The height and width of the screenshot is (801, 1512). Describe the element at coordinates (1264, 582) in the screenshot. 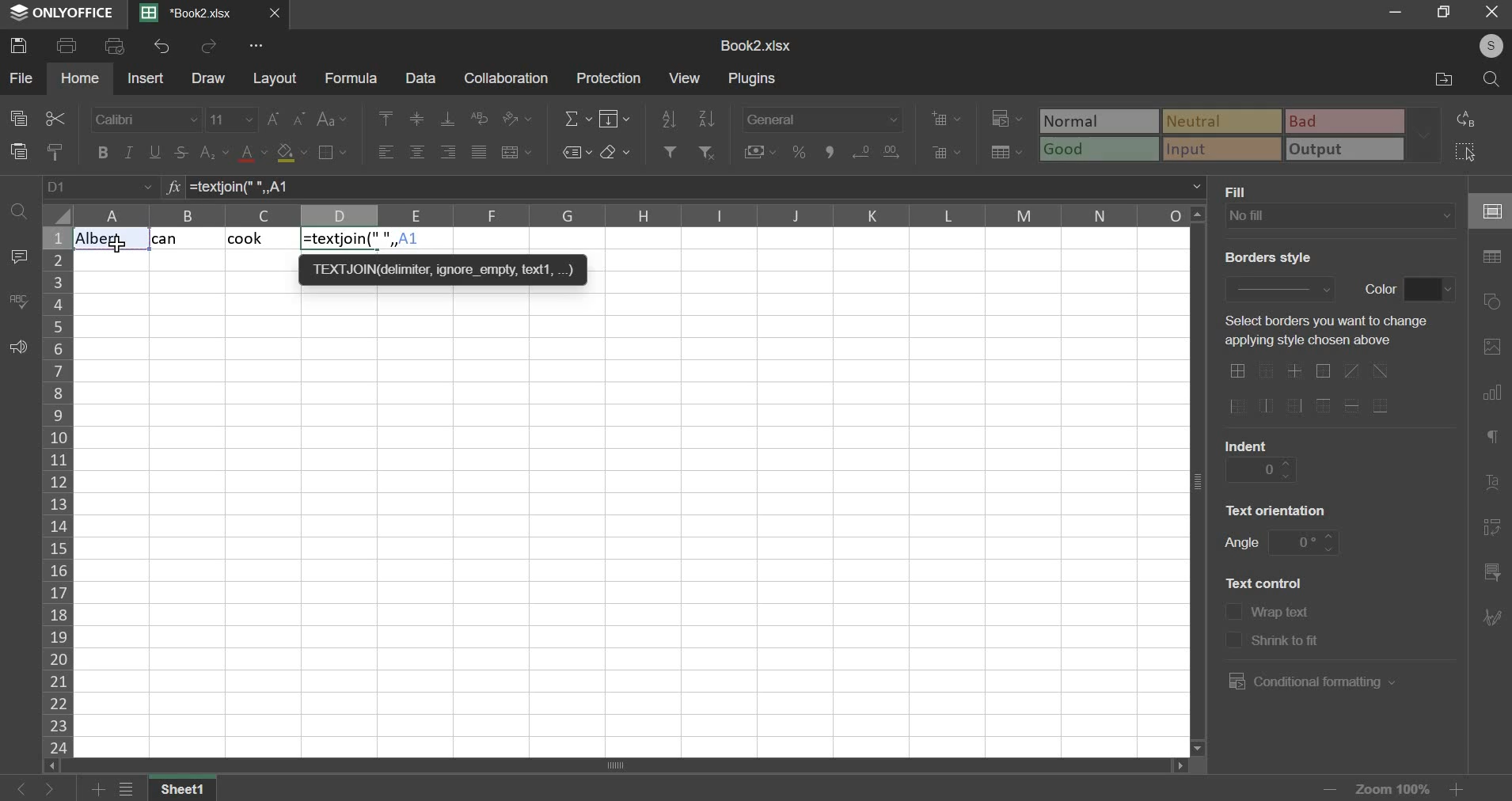

I see `text` at that location.